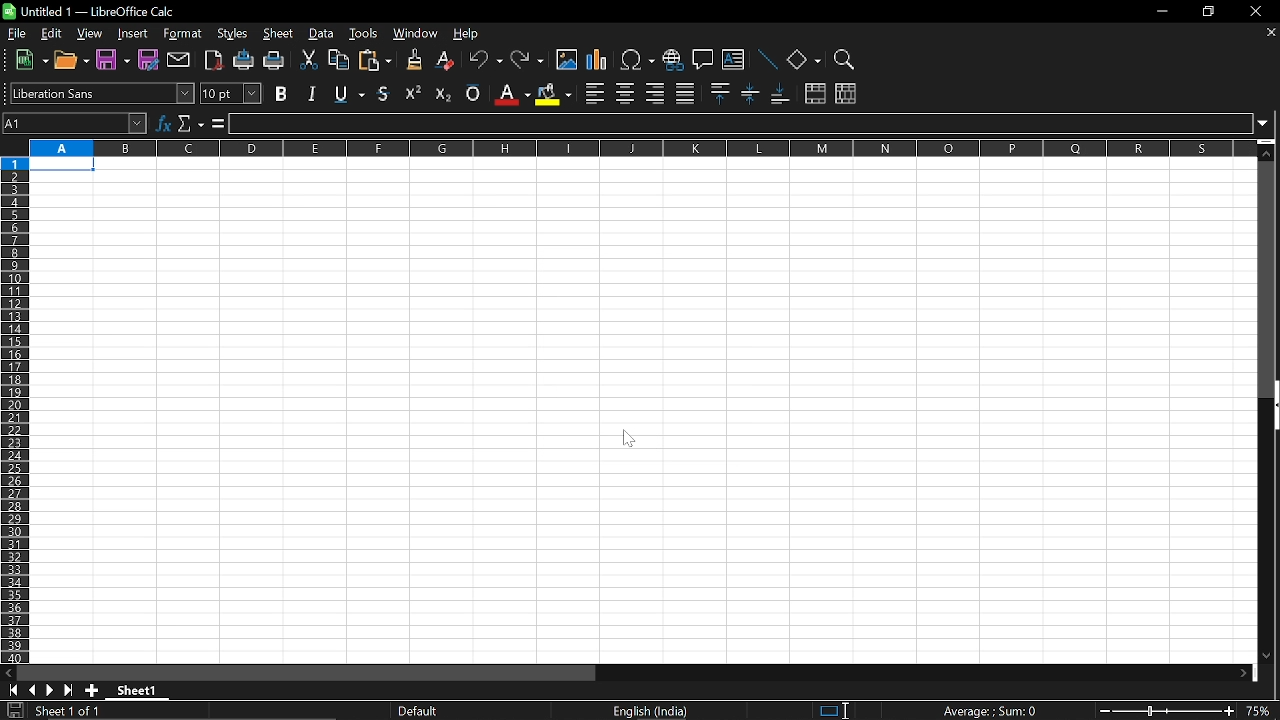  Describe the element at coordinates (567, 60) in the screenshot. I see `insert image` at that location.